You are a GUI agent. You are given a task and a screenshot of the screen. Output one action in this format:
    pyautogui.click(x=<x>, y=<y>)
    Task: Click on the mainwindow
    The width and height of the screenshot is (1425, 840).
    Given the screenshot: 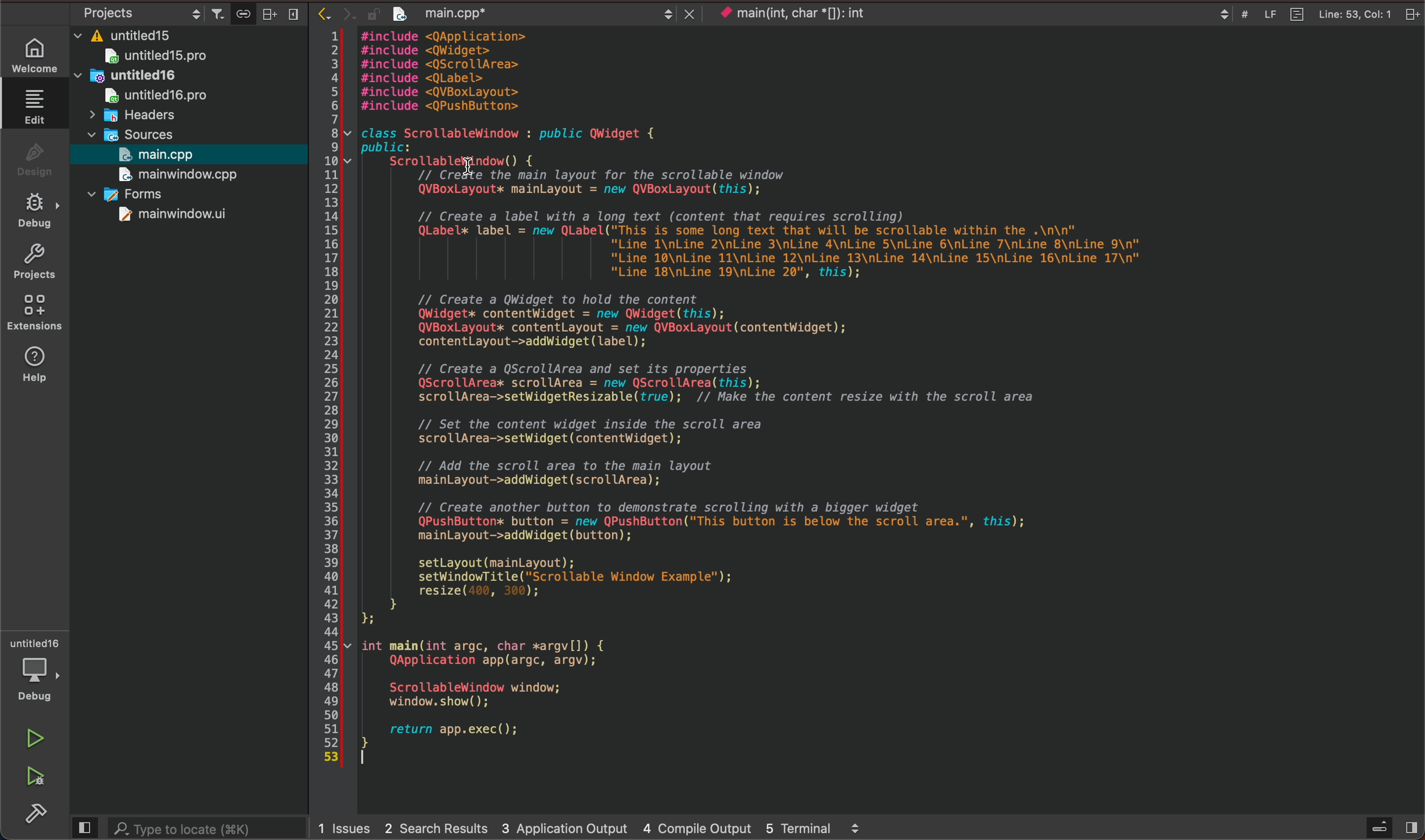 What is the action you would take?
    pyautogui.click(x=173, y=215)
    